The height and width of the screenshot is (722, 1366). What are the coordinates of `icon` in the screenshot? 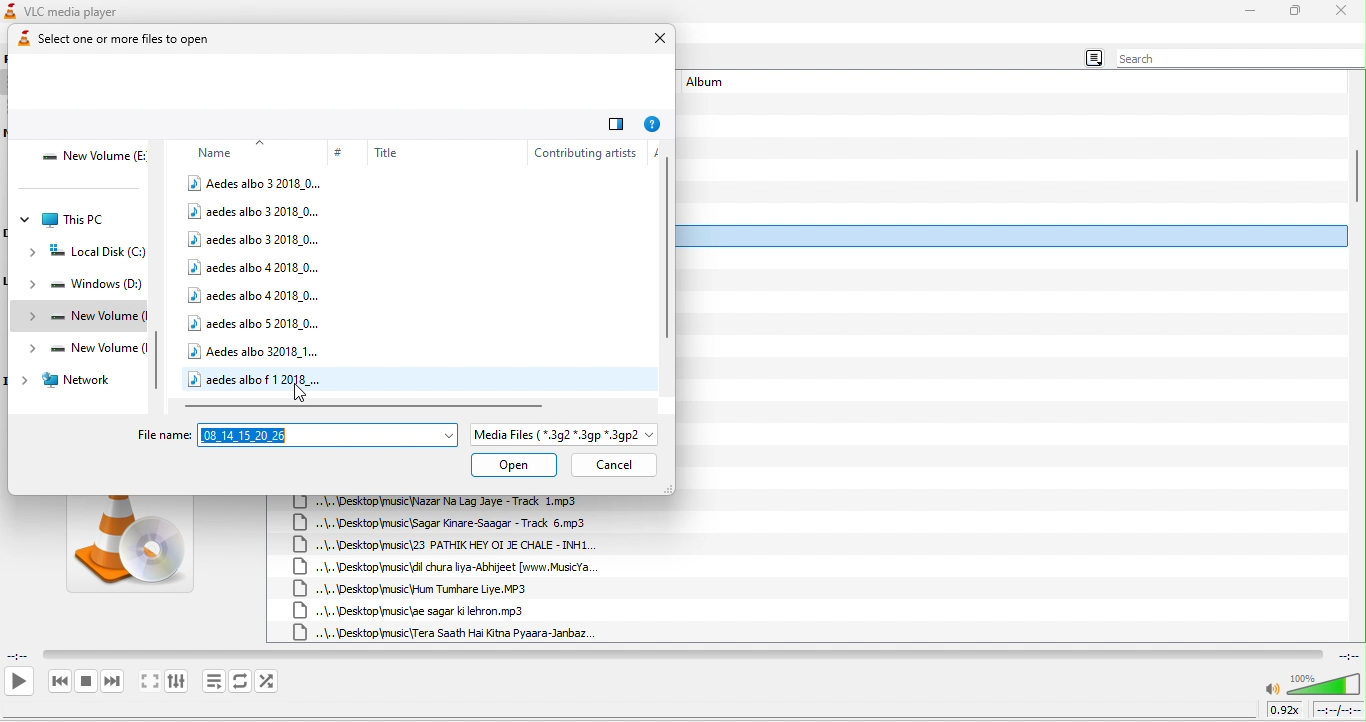 It's located at (10, 11).